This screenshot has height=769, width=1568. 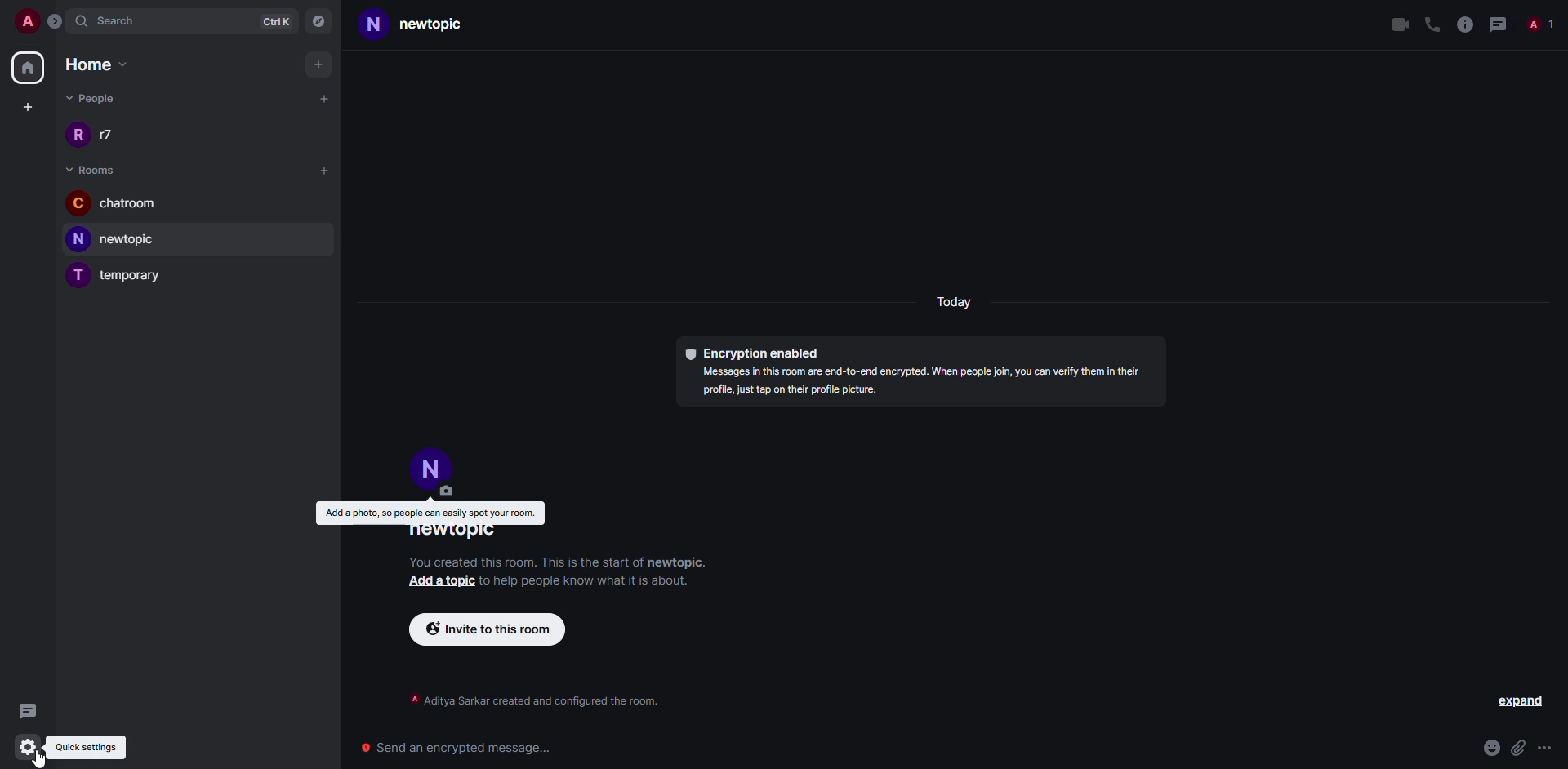 I want to click on threads, so click(x=28, y=711).